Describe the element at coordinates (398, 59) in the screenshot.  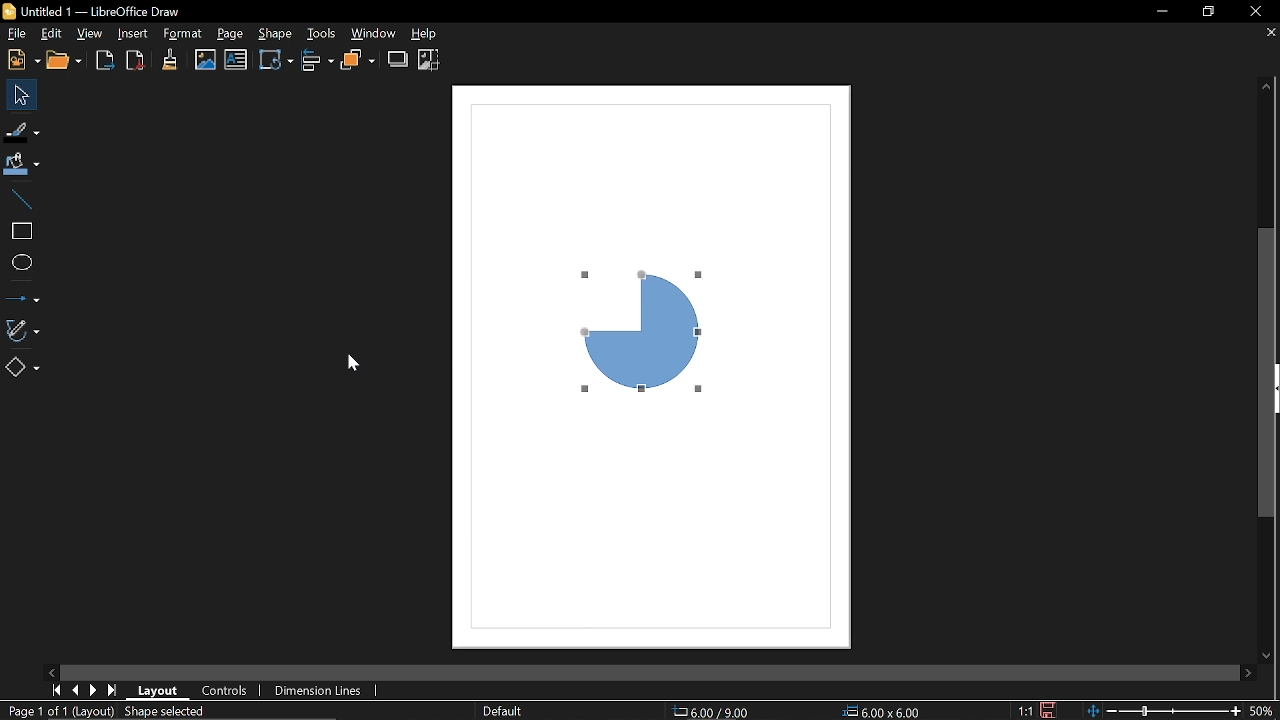
I see `Shadow` at that location.